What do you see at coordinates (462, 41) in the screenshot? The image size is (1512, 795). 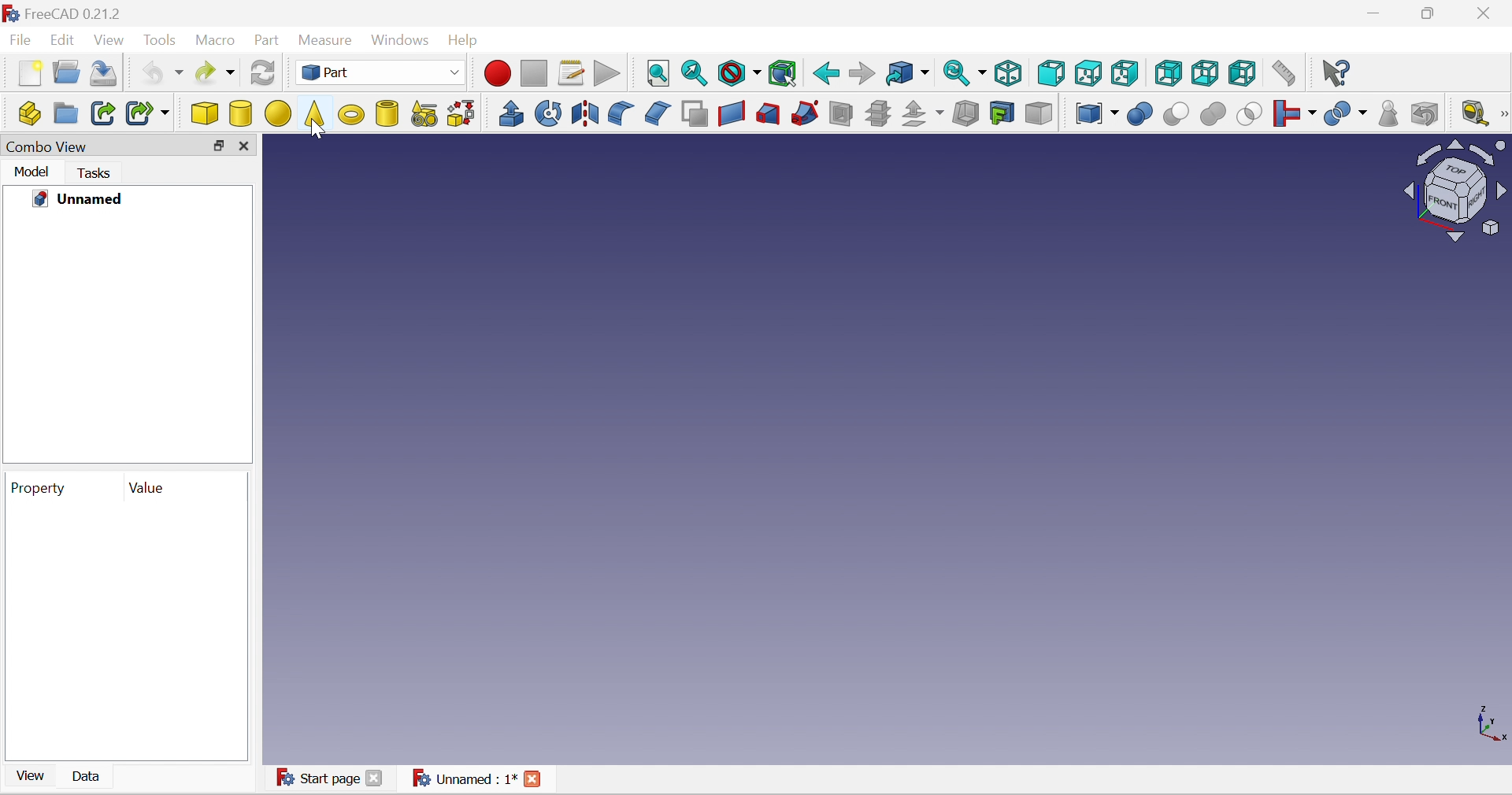 I see `Help` at bounding box center [462, 41].